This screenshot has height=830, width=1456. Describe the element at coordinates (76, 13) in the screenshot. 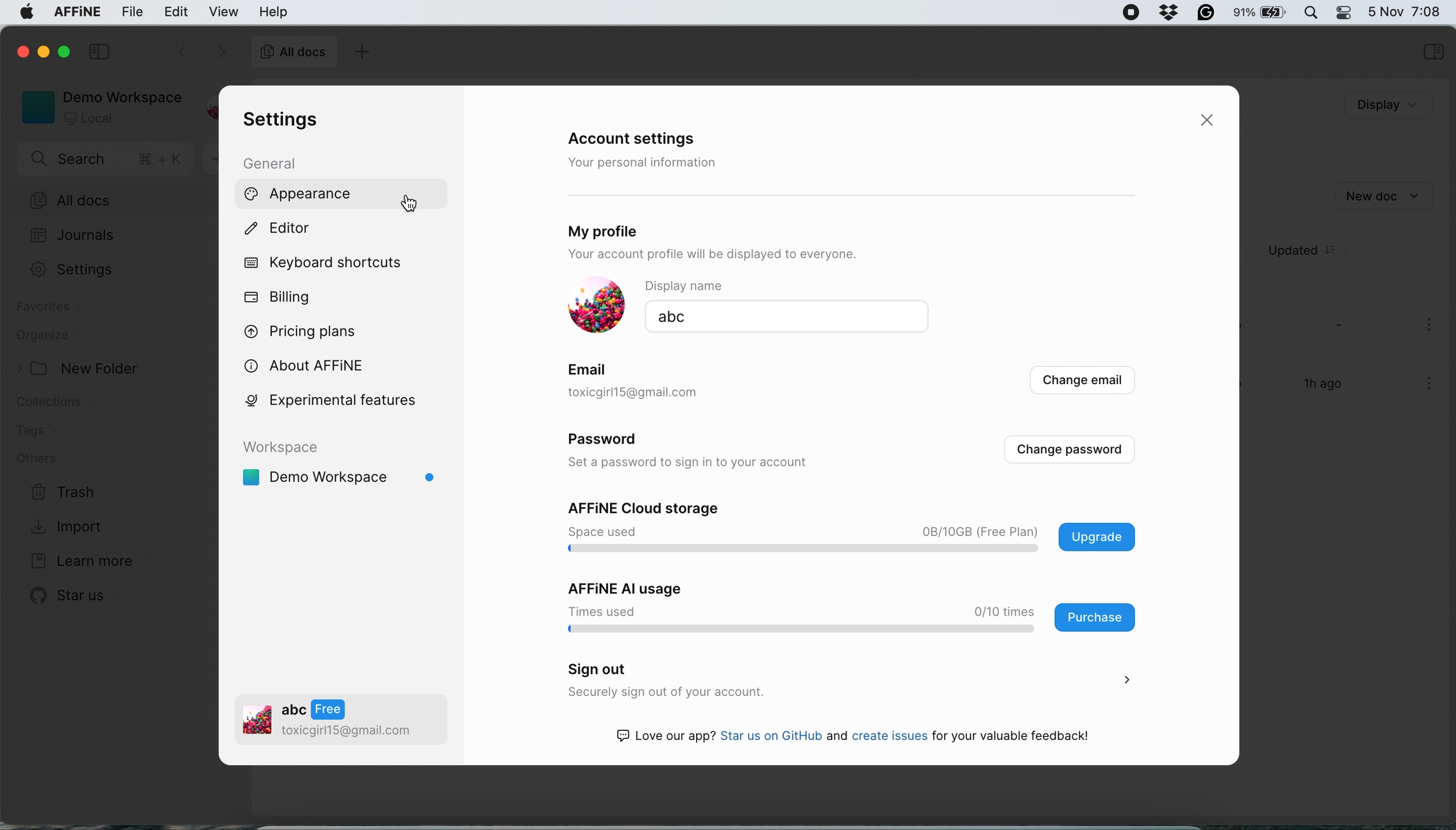

I see `affine` at that location.